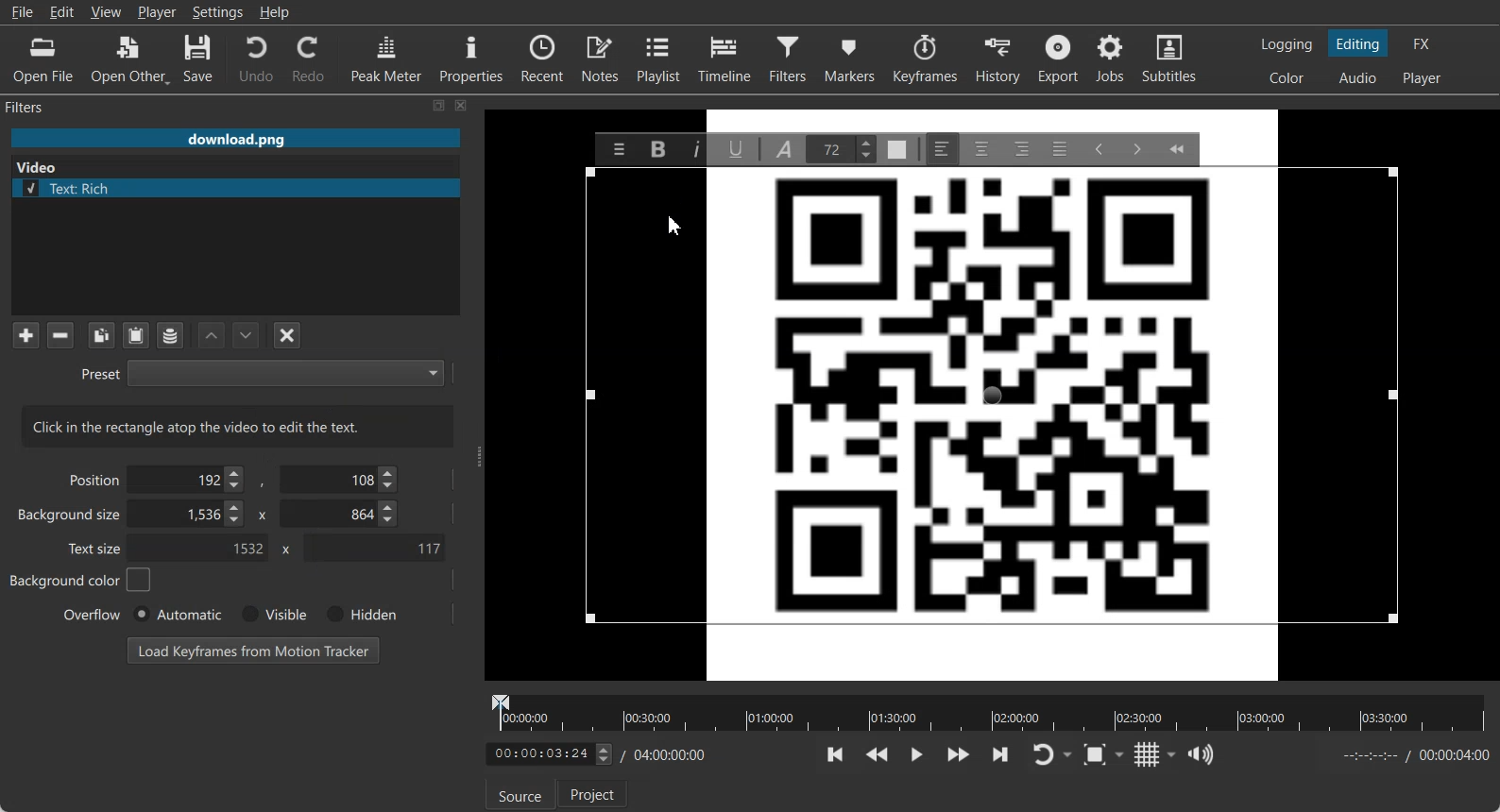  Describe the element at coordinates (96, 548) in the screenshot. I see `Text size` at that location.